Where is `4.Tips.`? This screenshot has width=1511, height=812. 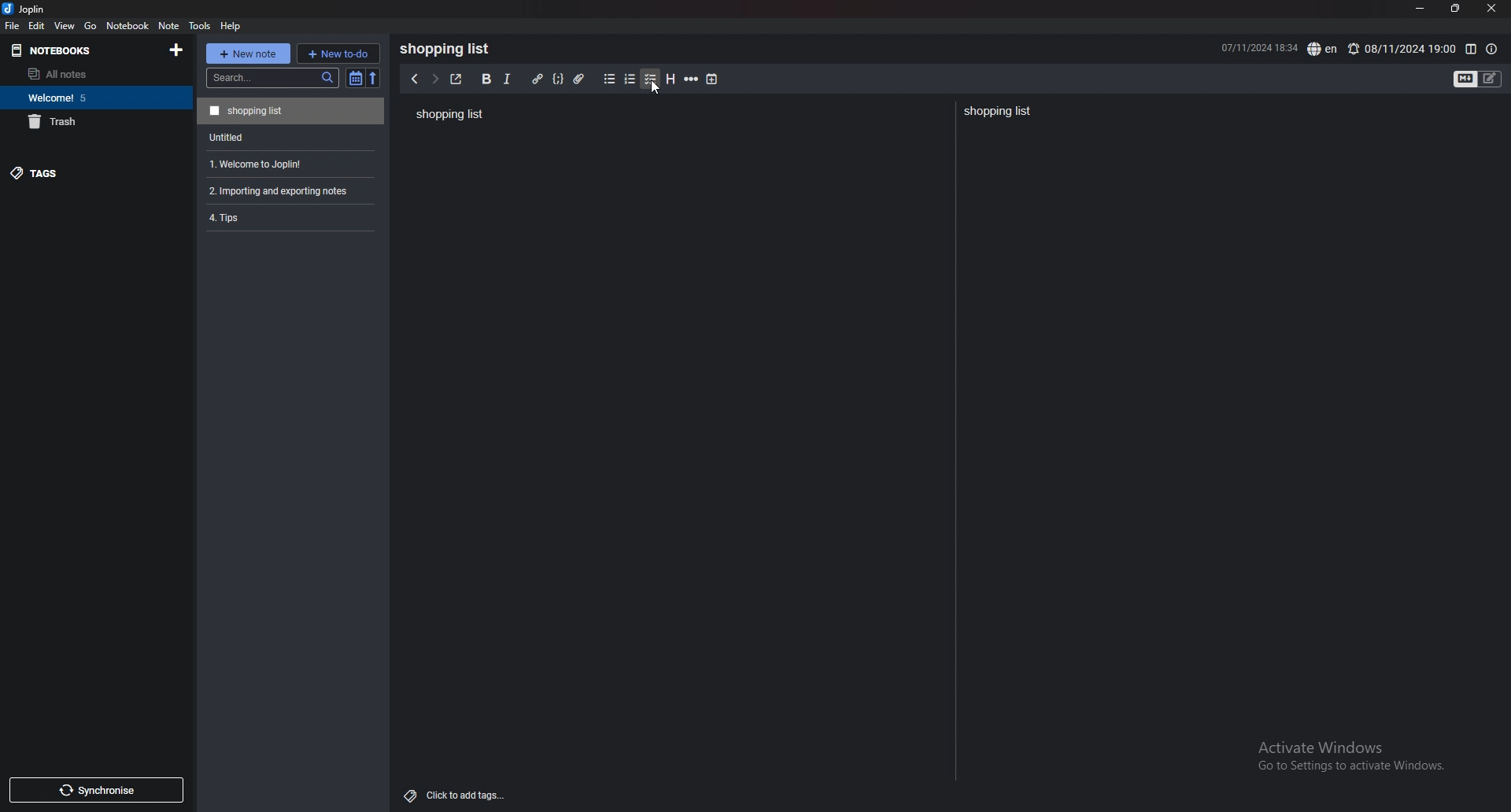 4.Tips. is located at coordinates (289, 217).